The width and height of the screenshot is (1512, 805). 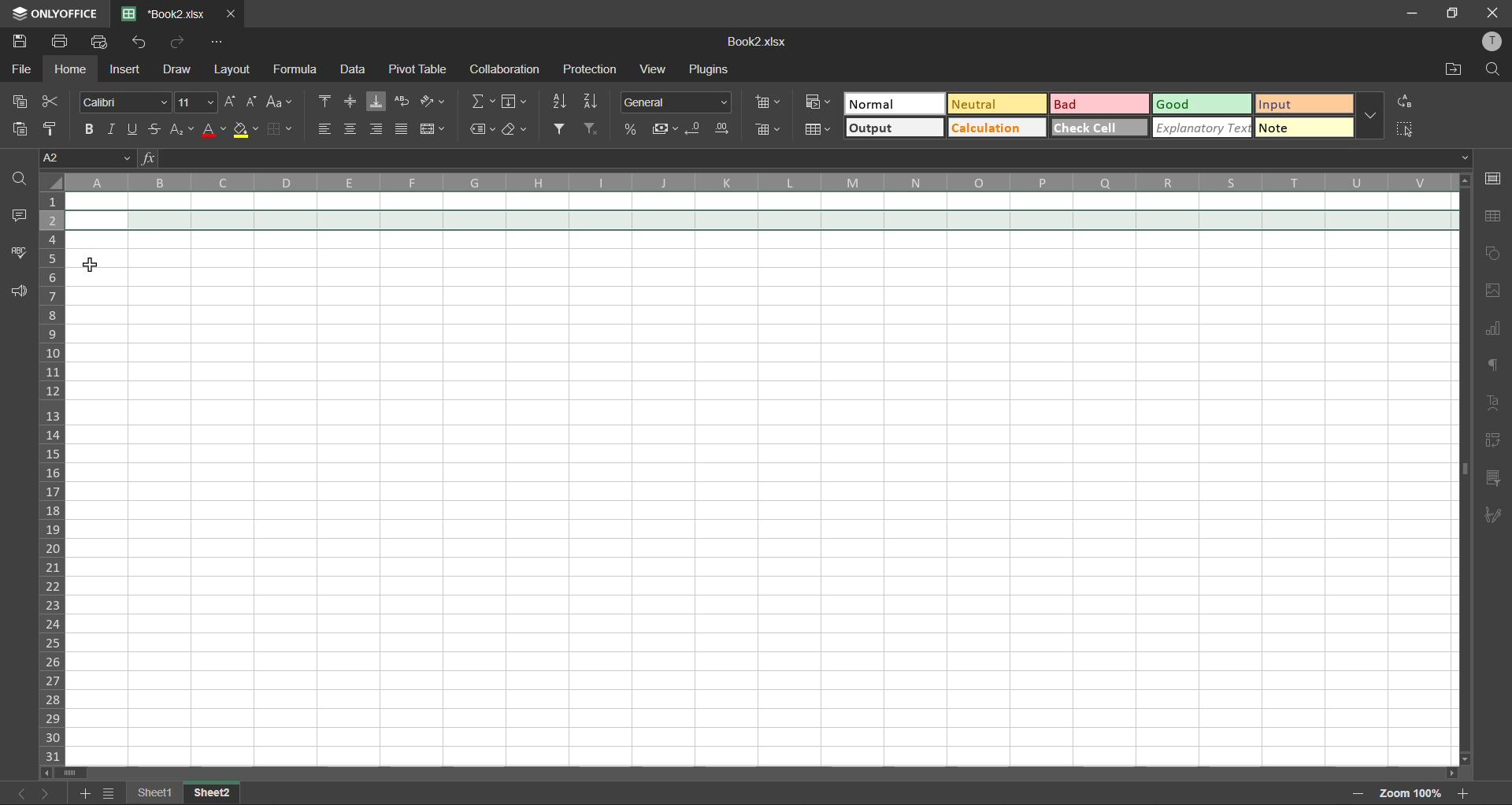 What do you see at coordinates (503, 69) in the screenshot?
I see `collaboration` at bounding box center [503, 69].